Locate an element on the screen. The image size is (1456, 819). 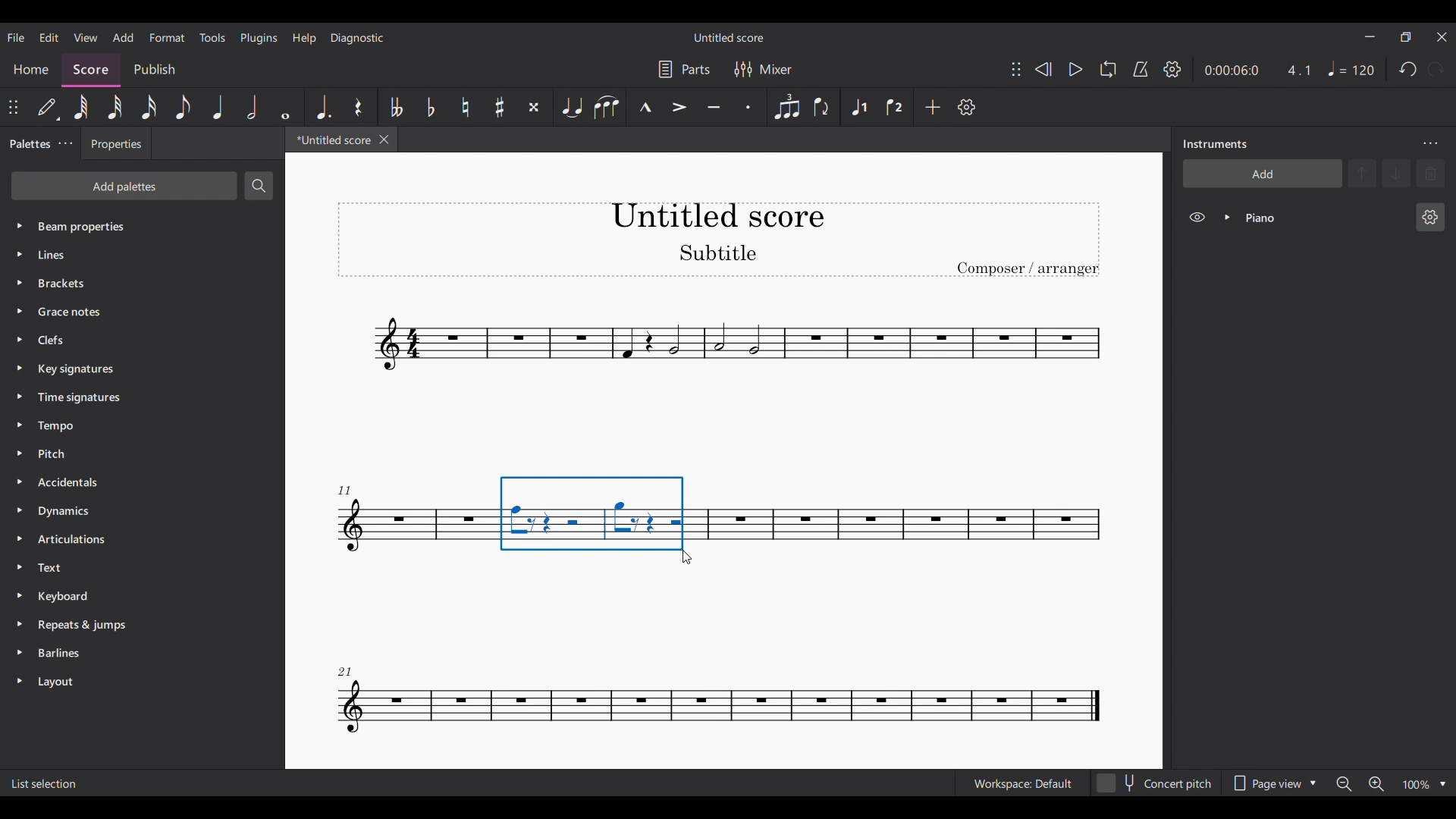
Diagnostic menu is located at coordinates (357, 37).